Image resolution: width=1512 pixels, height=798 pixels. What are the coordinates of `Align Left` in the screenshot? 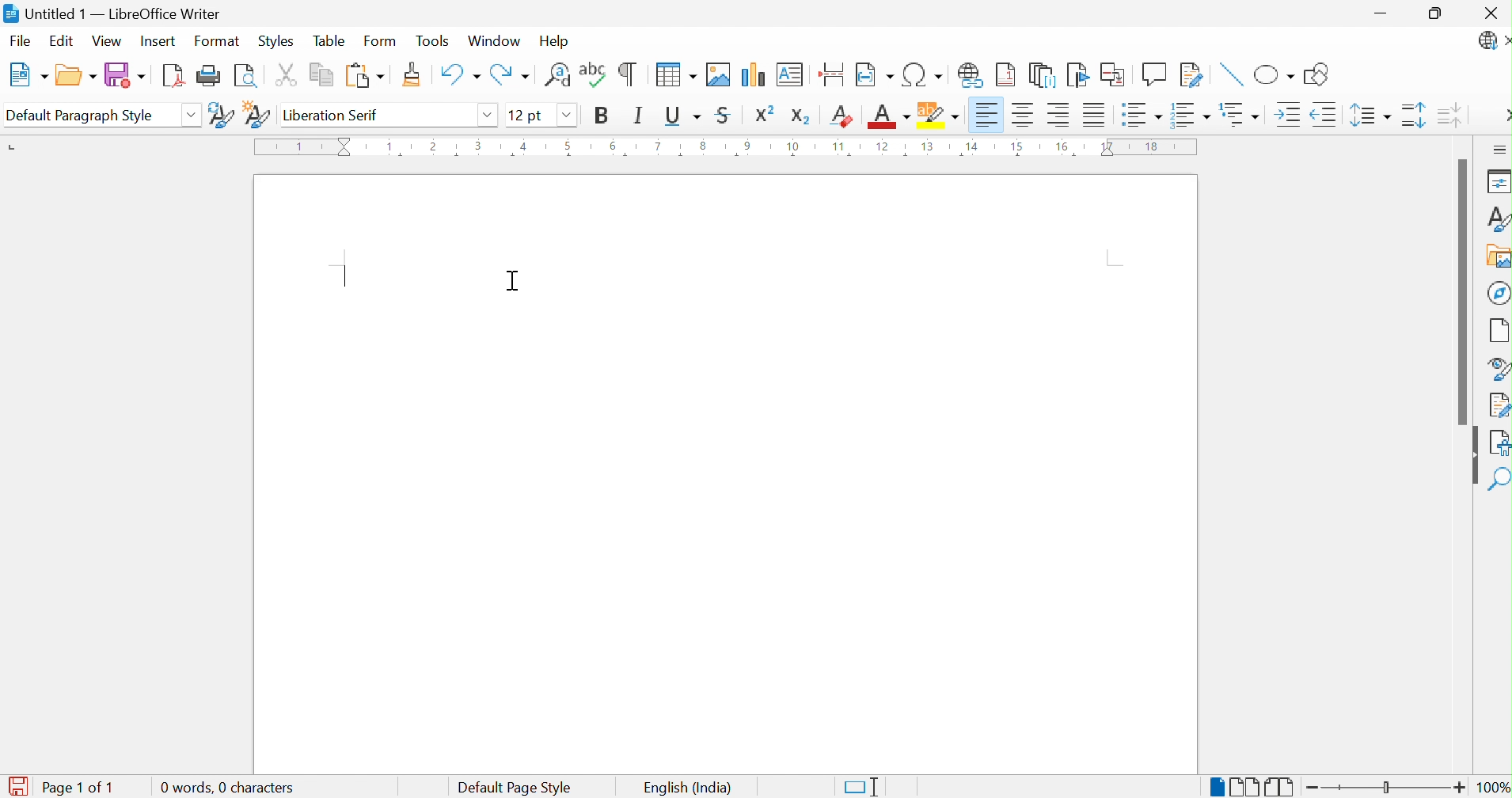 It's located at (986, 114).